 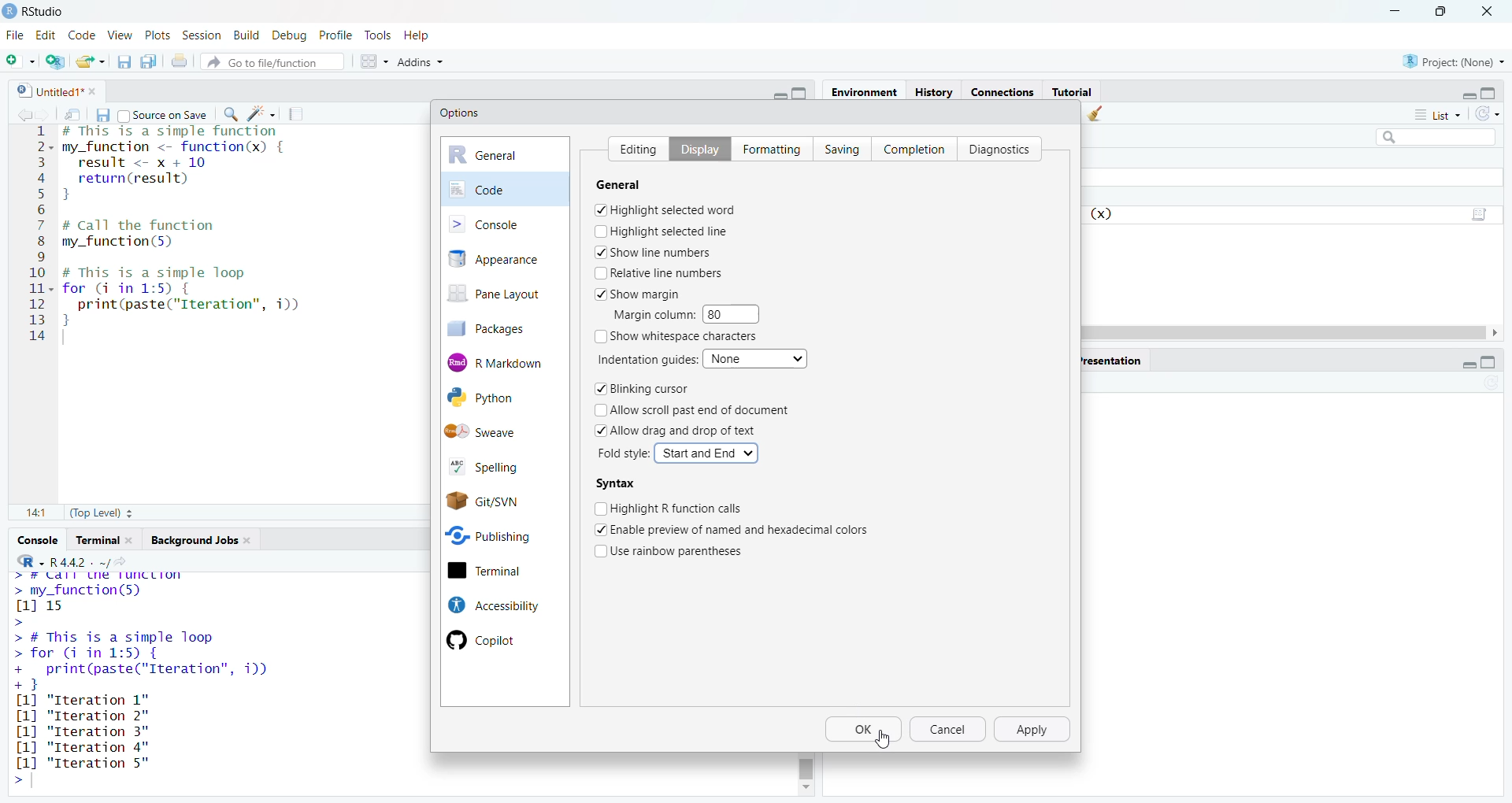 What do you see at coordinates (768, 147) in the screenshot?
I see `formatting` at bounding box center [768, 147].